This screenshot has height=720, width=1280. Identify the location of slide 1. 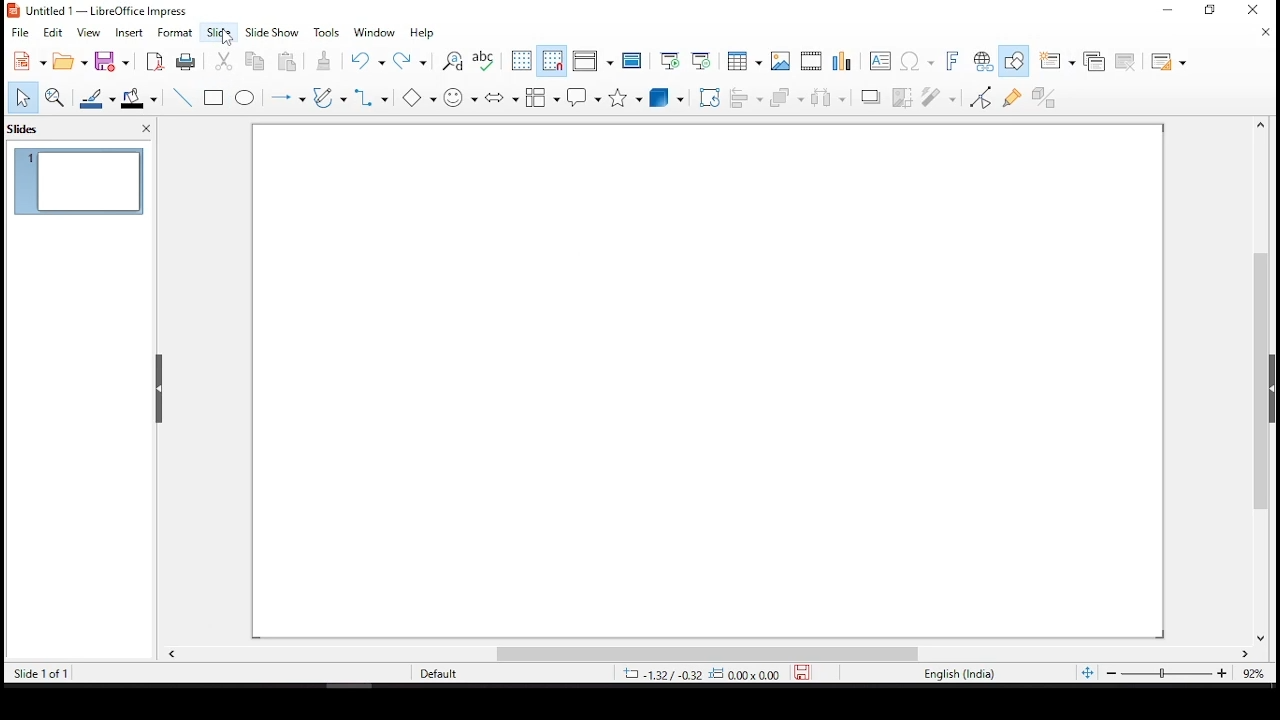
(79, 181).